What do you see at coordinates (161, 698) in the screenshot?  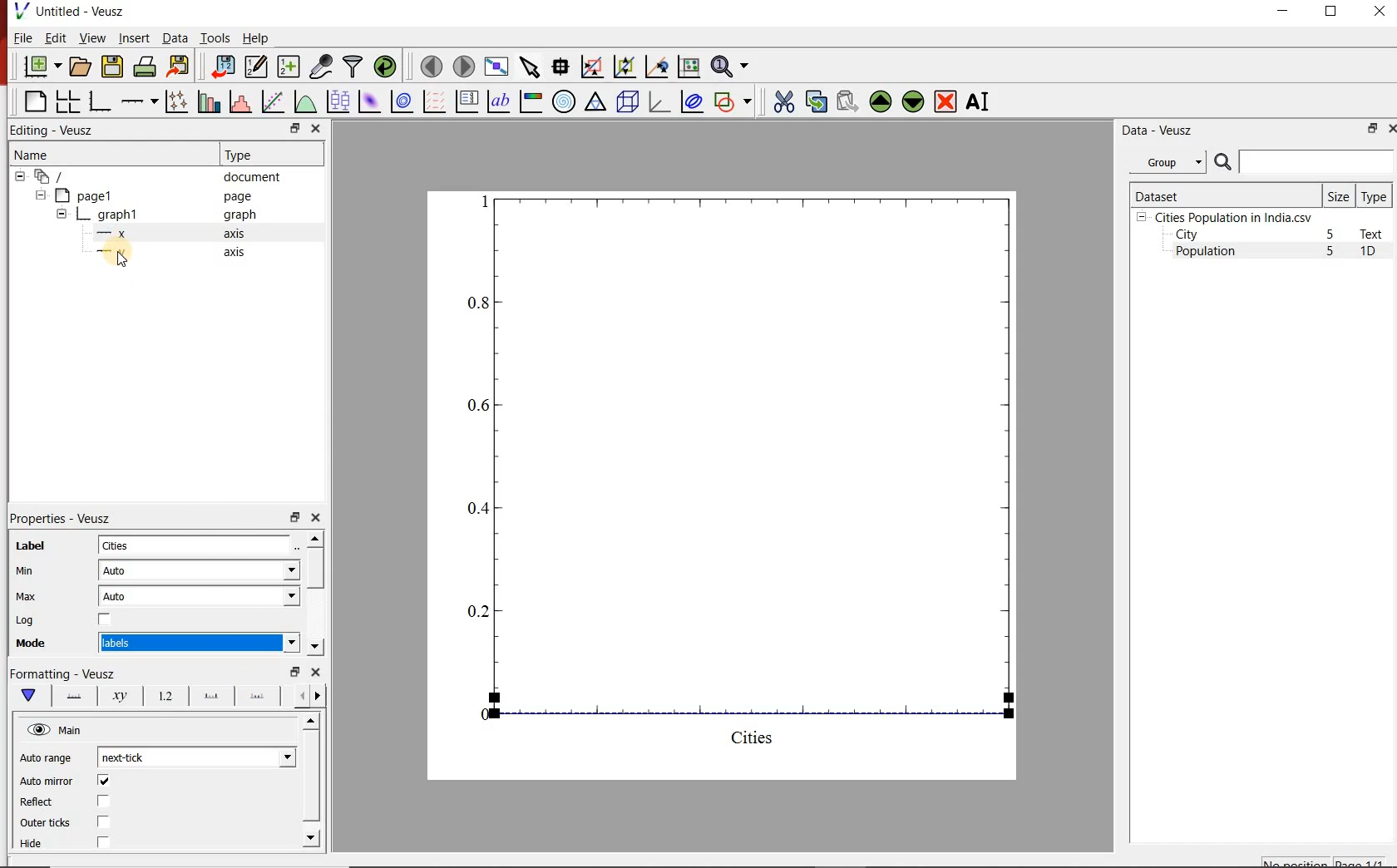 I see `Tick labels` at bounding box center [161, 698].